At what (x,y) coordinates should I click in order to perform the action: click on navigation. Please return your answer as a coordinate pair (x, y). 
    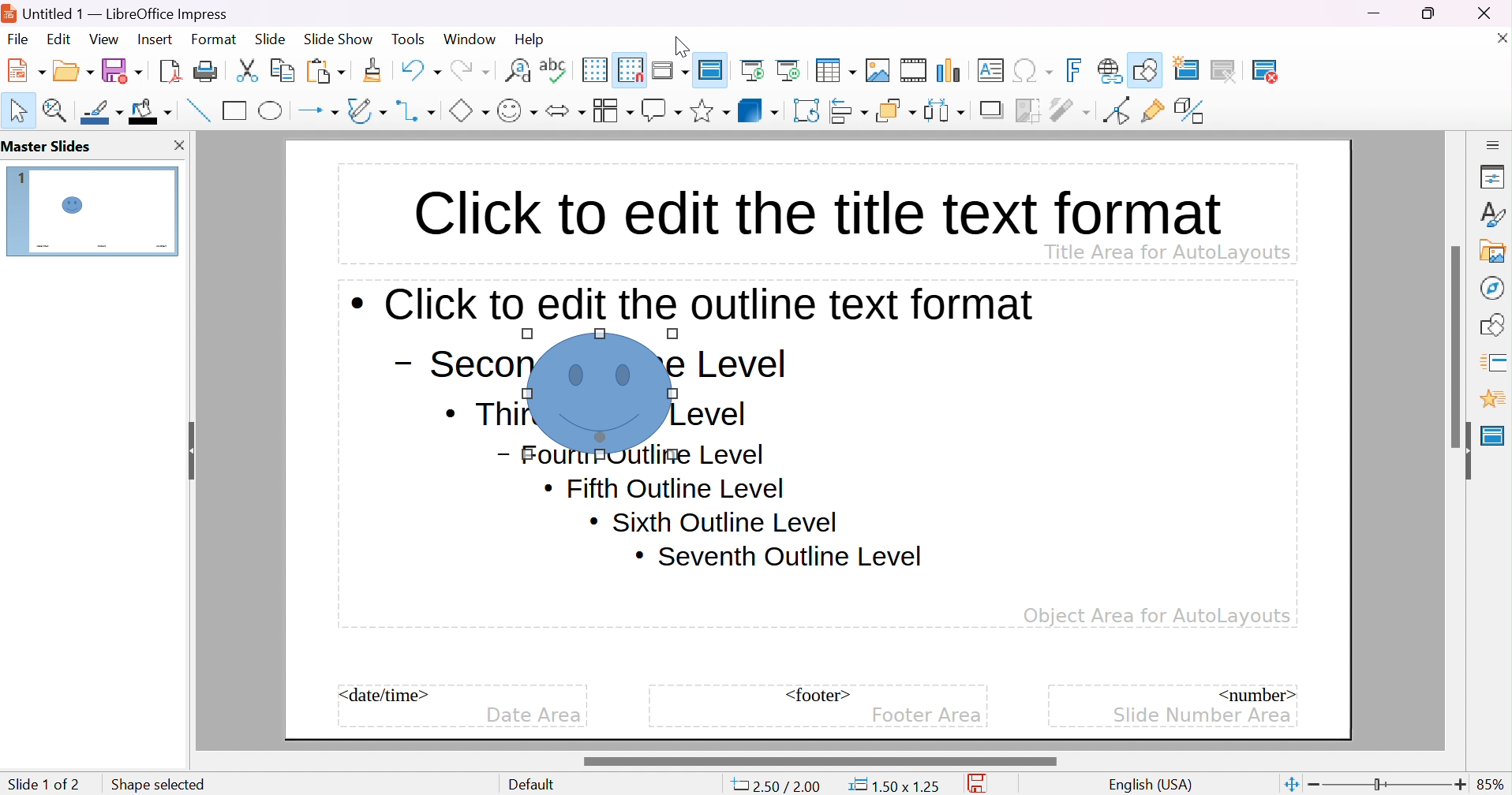
    Looking at the image, I should click on (1491, 287).